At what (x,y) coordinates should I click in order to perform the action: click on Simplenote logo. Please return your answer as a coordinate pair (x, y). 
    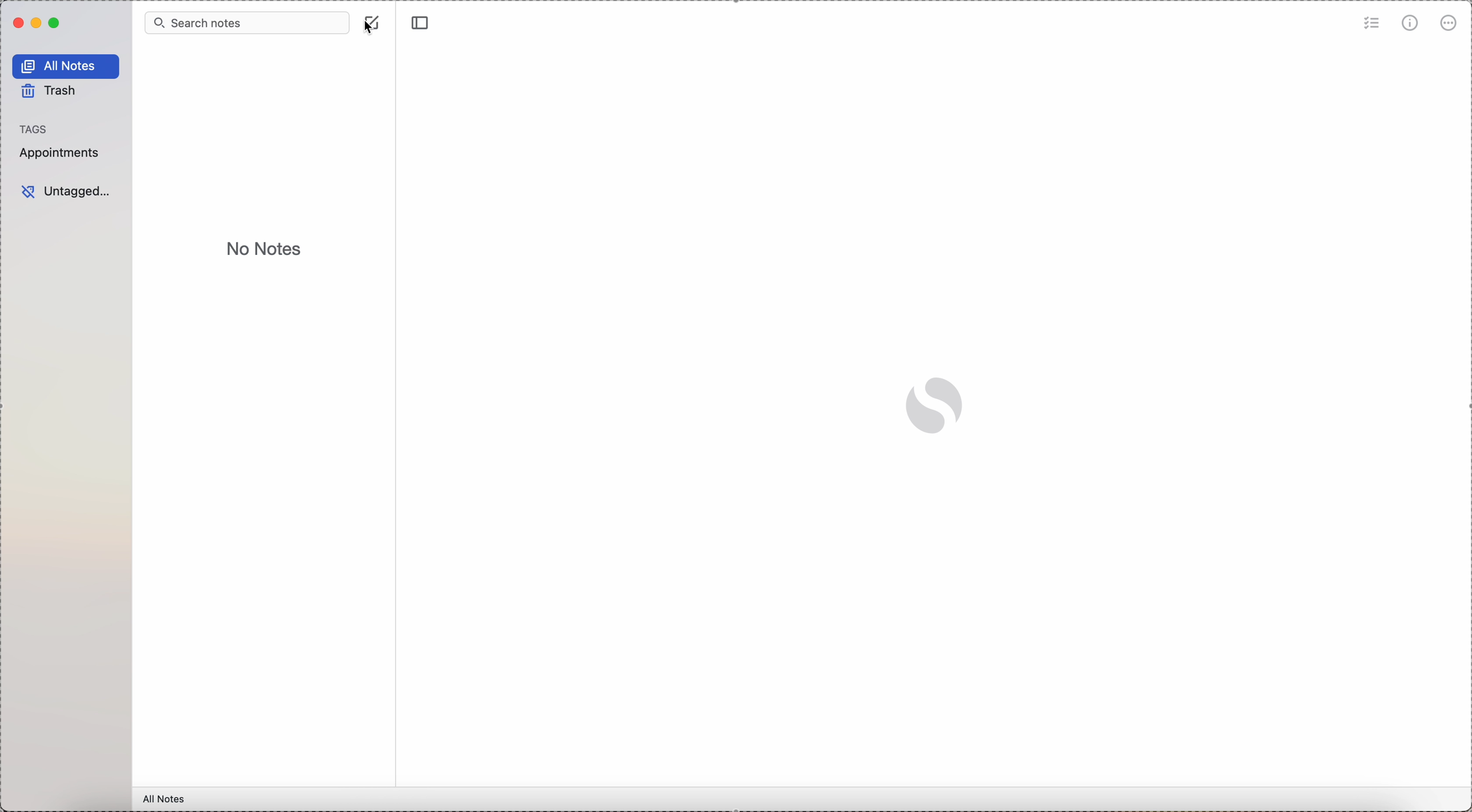
    Looking at the image, I should click on (938, 402).